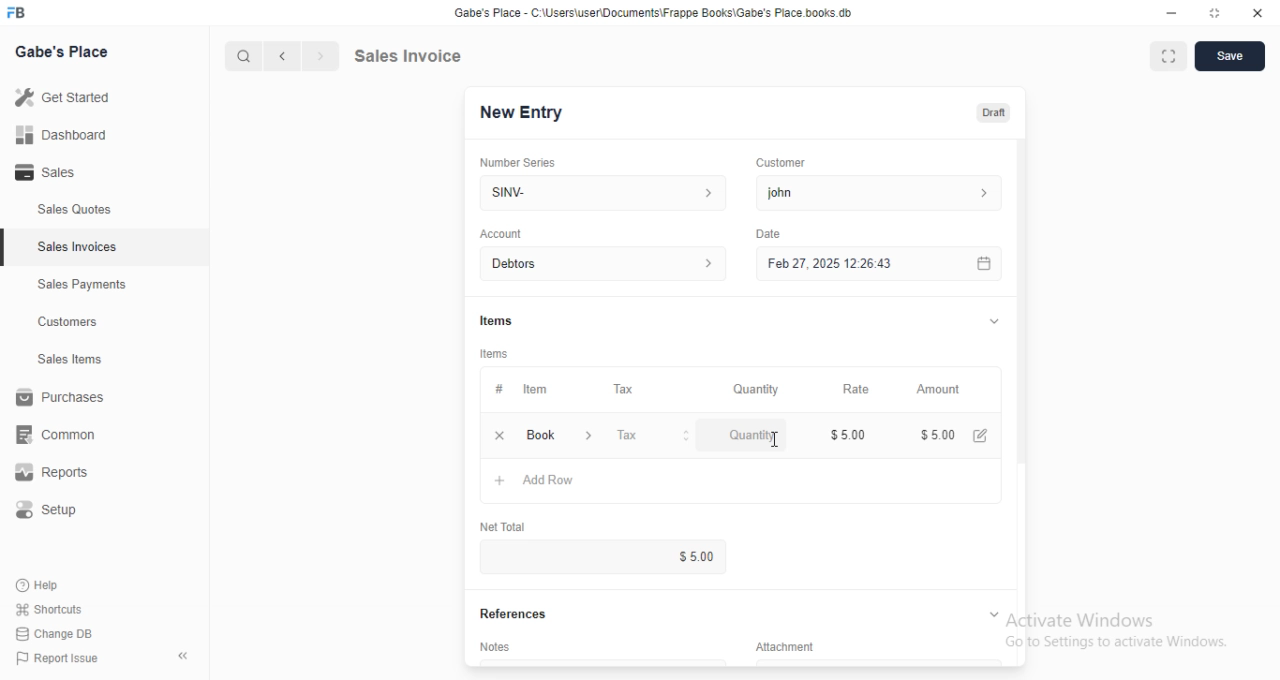 Image resolution: width=1280 pixels, height=680 pixels. Describe the element at coordinates (495, 317) in the screenshot. I see `Items` at that location.